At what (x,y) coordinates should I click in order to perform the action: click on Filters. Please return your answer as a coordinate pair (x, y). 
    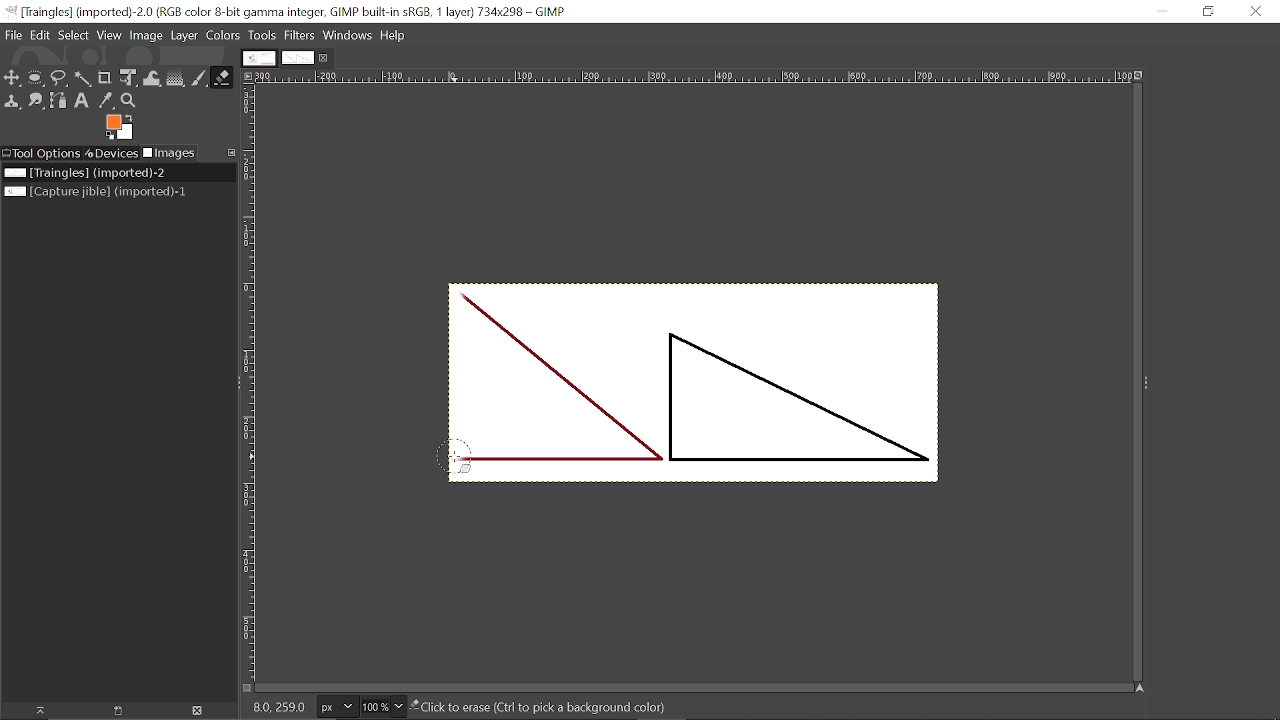
    Looking at the image, I should click on (300, 36).